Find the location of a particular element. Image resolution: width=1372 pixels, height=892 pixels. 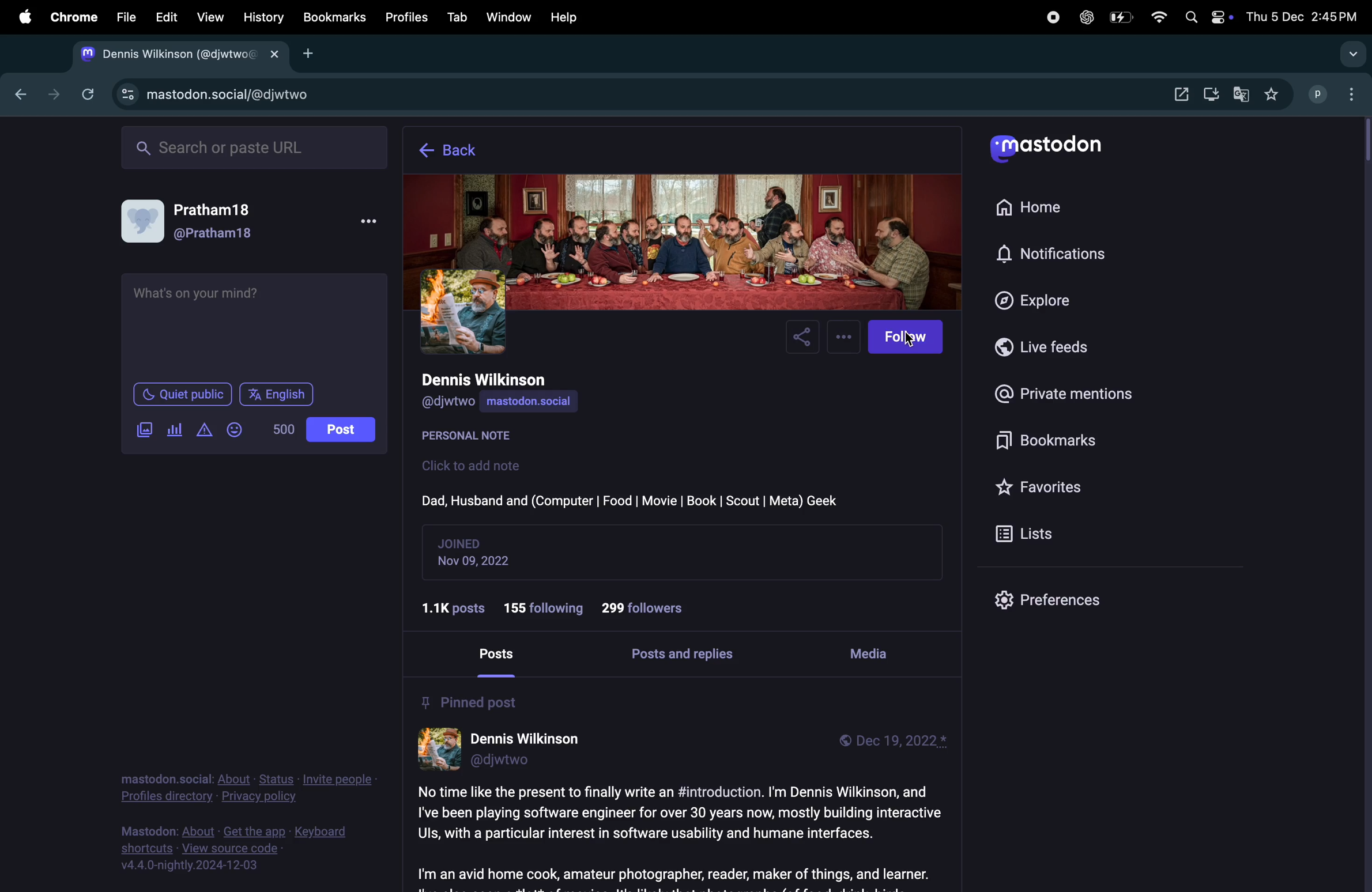

edit is located at coordinates (168, 18).